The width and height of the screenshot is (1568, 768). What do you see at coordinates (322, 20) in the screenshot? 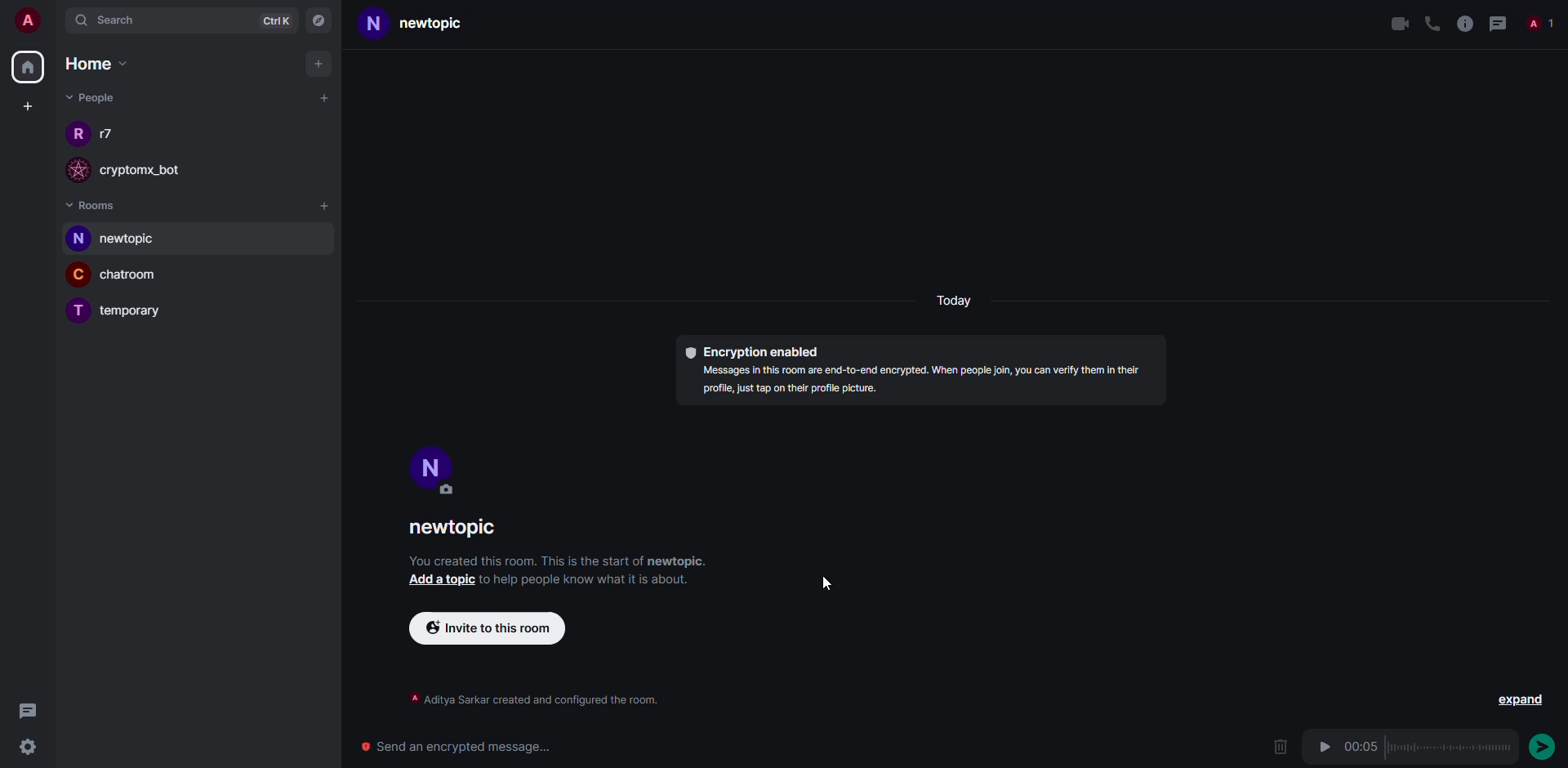
I see `navigator` at bounding box center [322, 20].